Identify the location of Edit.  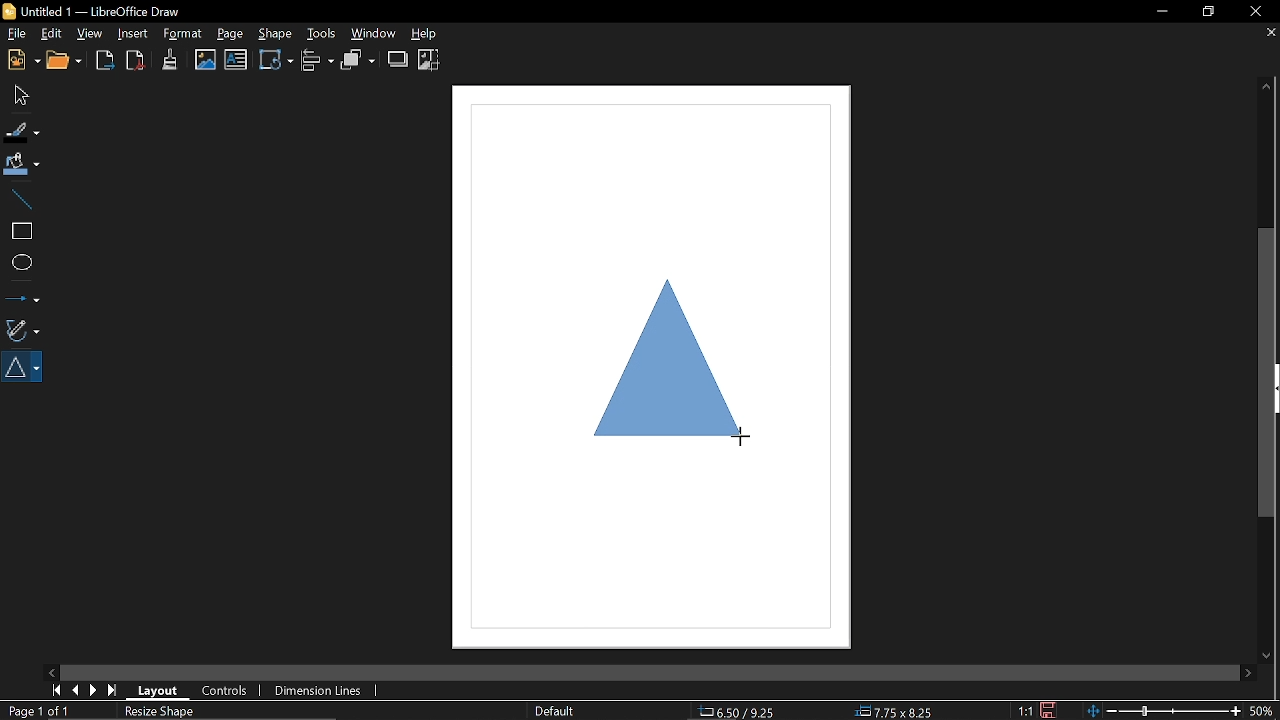
(51, 35).